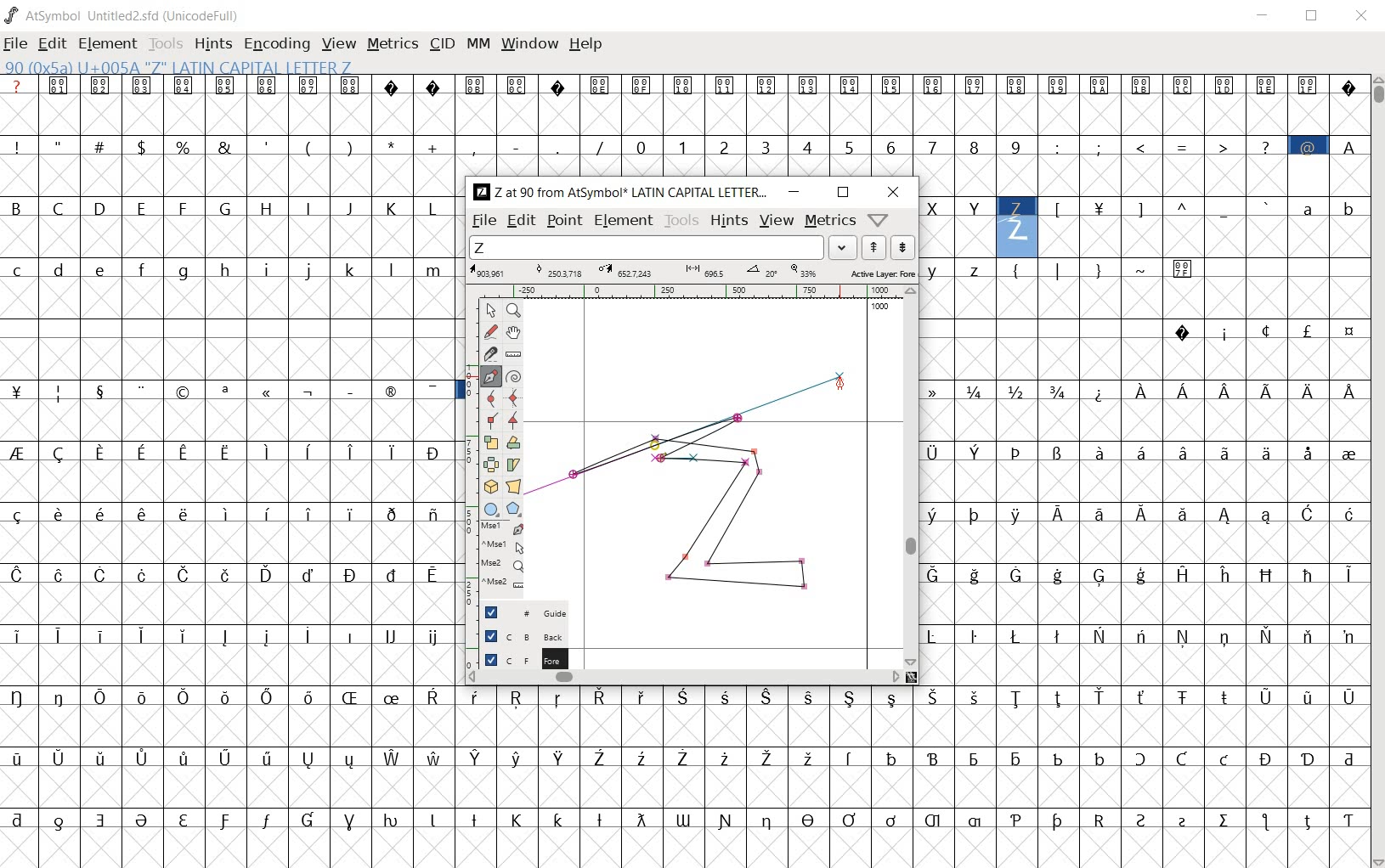  Describe the element at coordinates (1362, 14) in the screenshot. I see `close` at that location.